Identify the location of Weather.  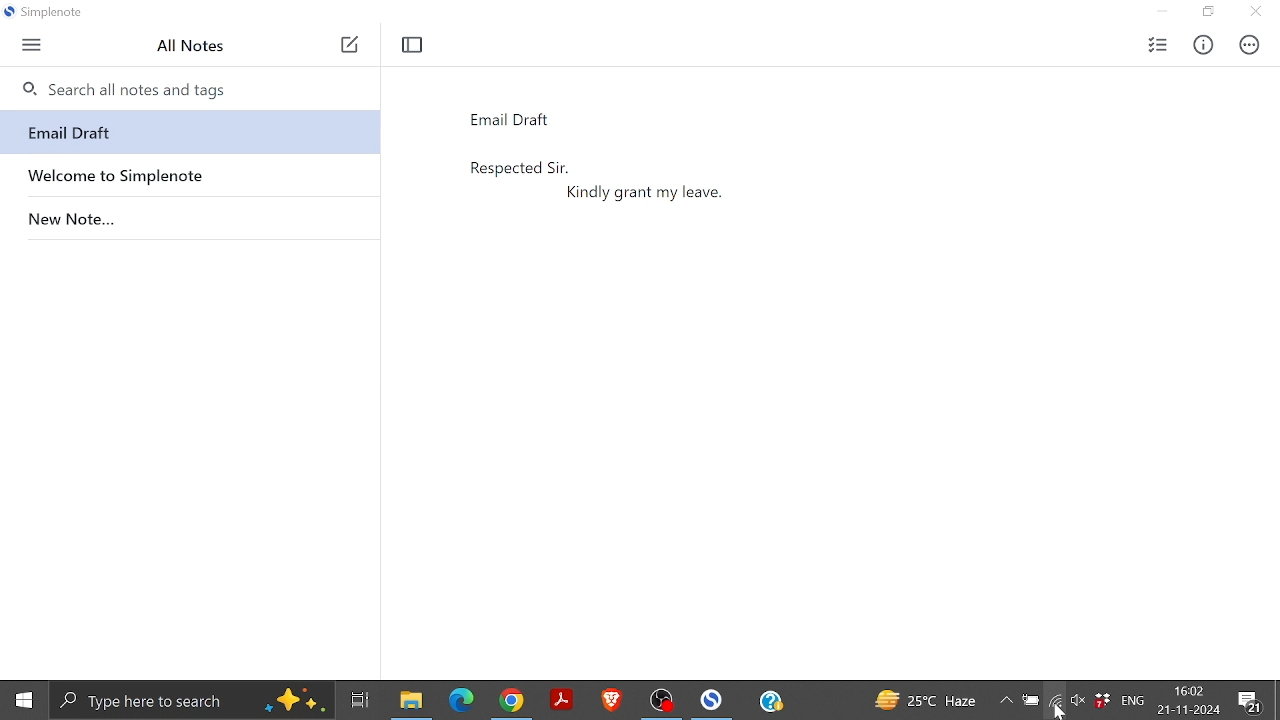
(926, 700).